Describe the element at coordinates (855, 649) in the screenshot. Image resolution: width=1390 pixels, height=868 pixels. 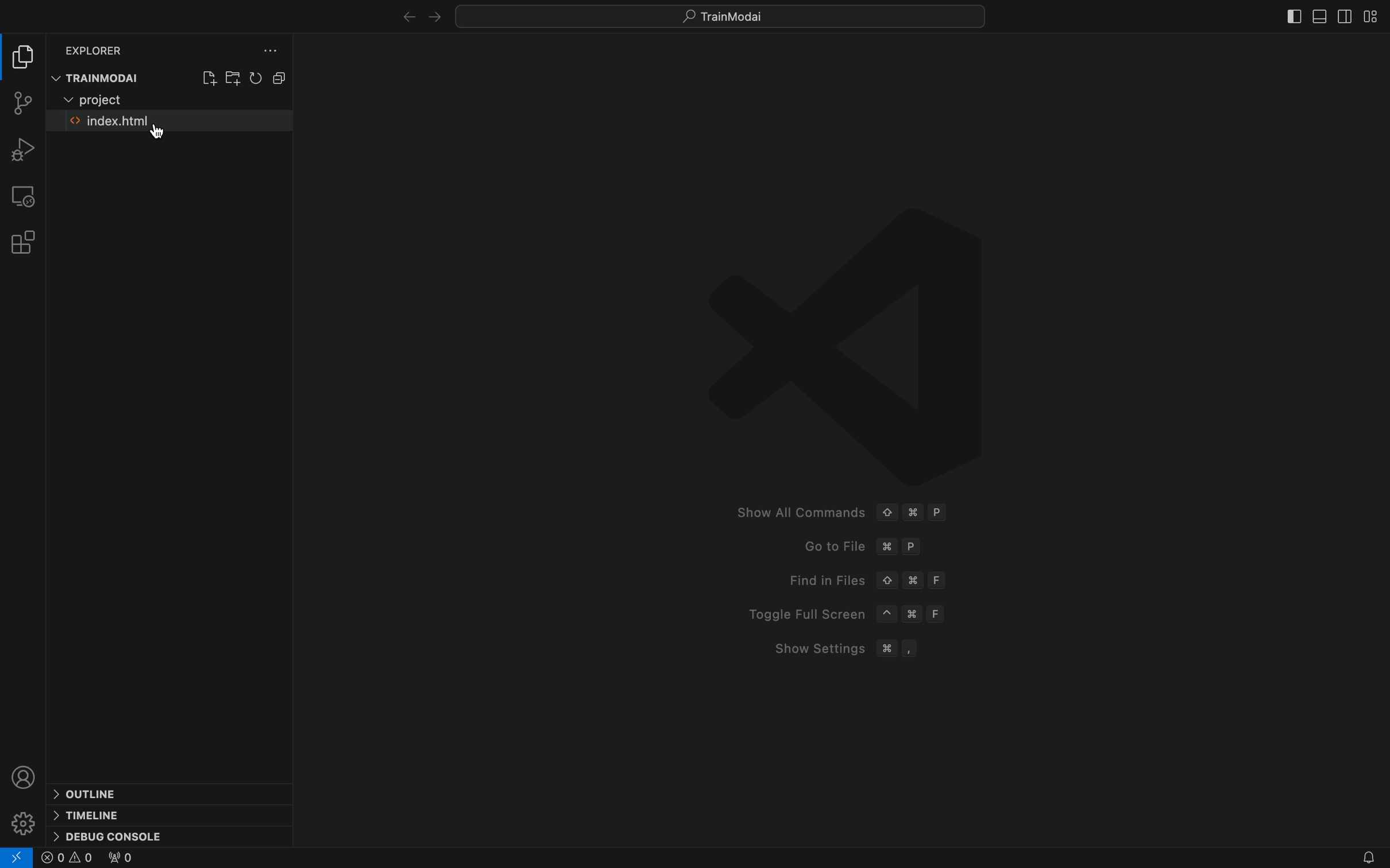
I see `Show settings` at that location.